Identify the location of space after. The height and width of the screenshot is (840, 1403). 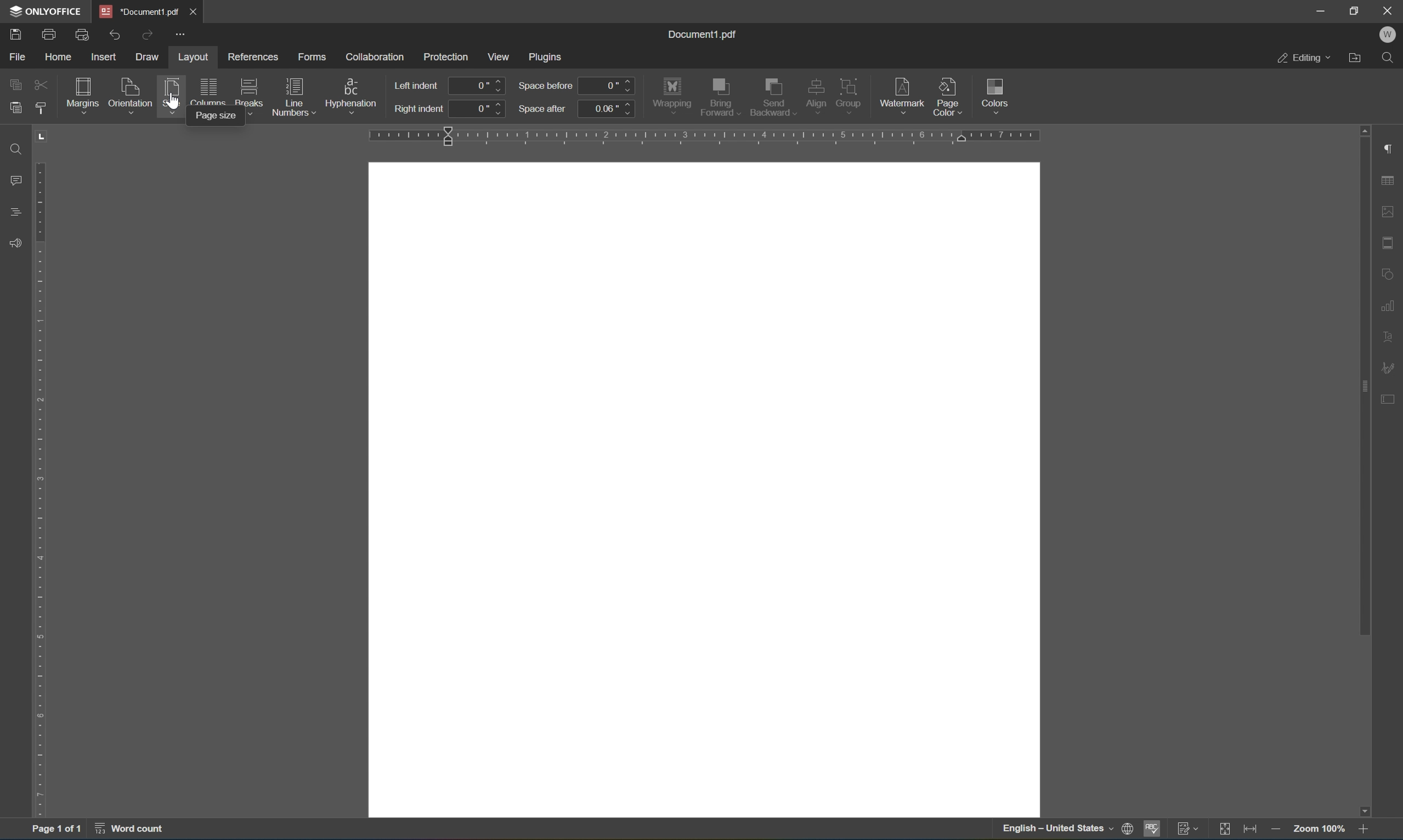
(543, 108).